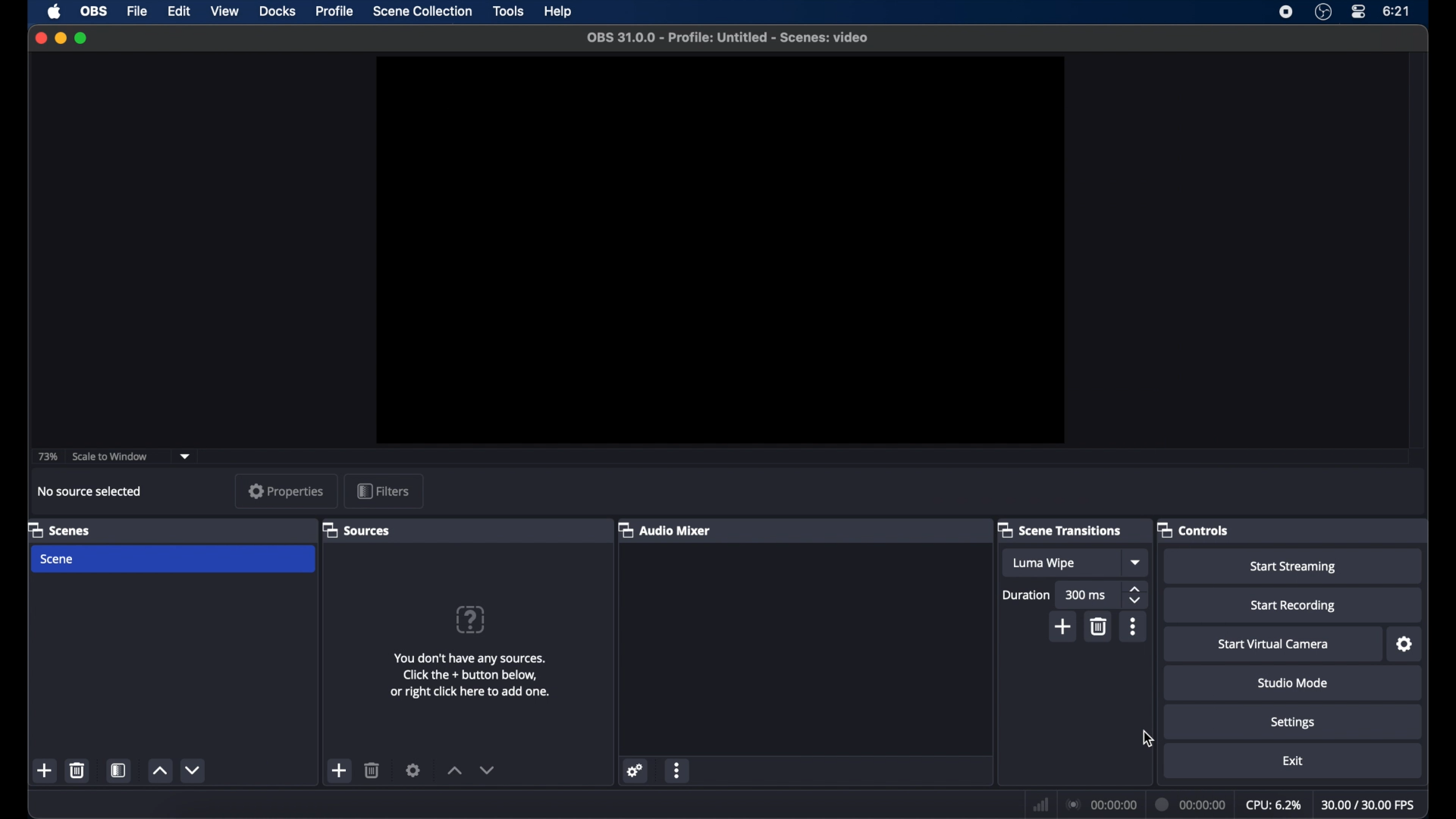 The image size is (1456, 819). What do you see at coordinates (96, 11) in the screenshot?
I see `obs` at bounding box center [96, 11].